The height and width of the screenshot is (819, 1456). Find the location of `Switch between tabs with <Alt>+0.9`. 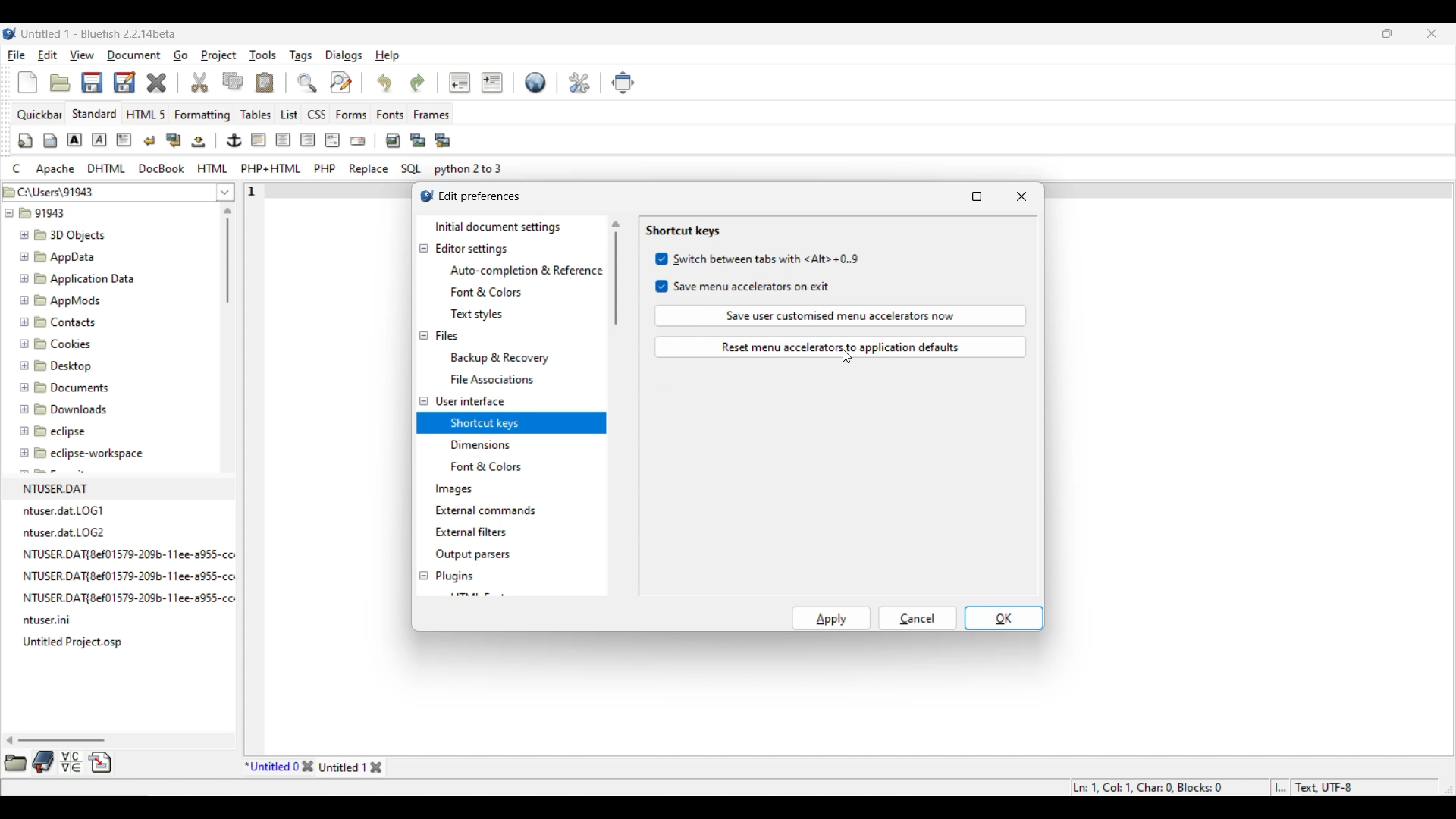

Switch between tabs with <Alt>+0.9 is located at coordinates (758, 259).